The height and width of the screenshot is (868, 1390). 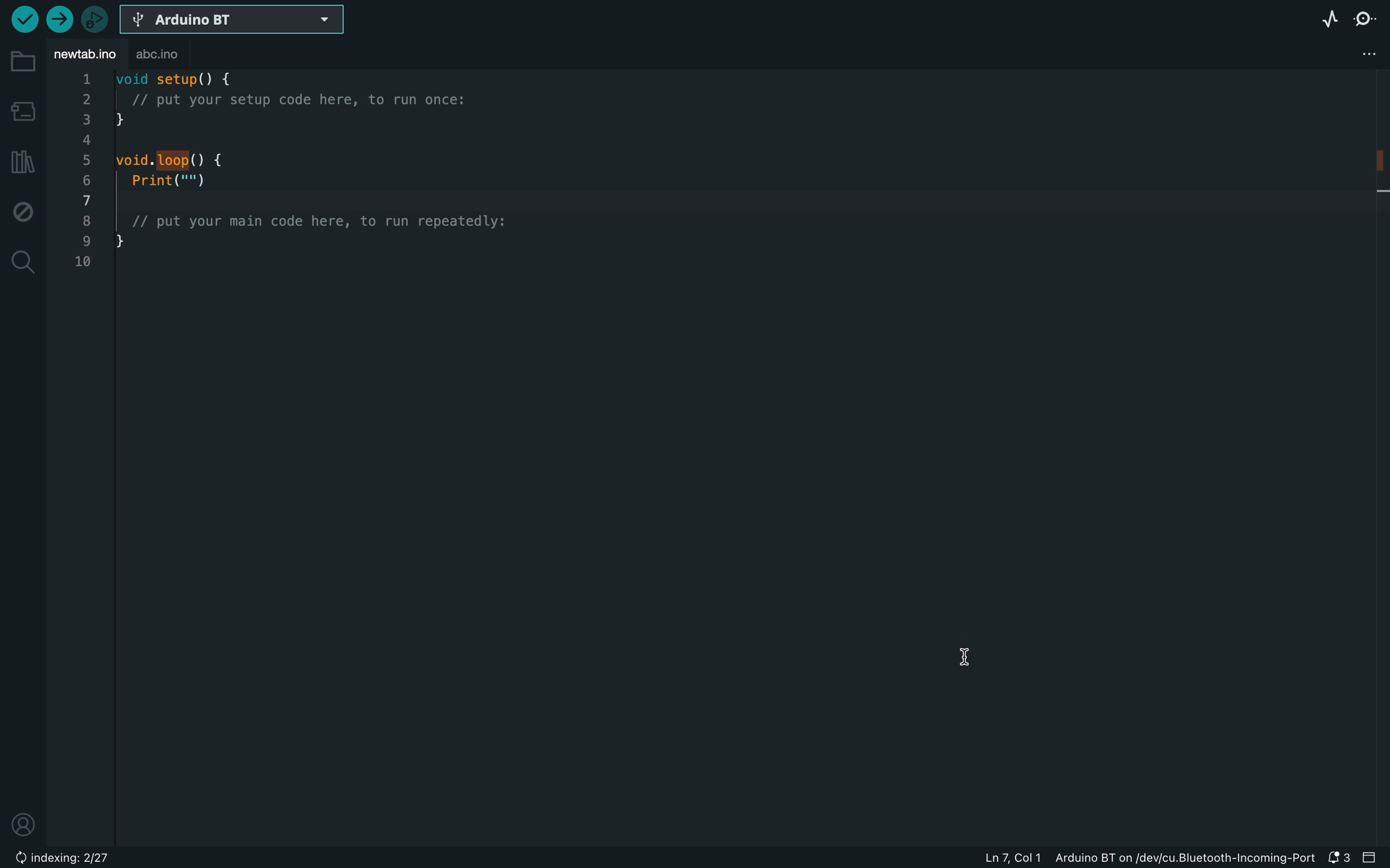 What do you see at coordinates (24, 110) in the screenshot?
I see `board manager` at bounding box center [24, 110].